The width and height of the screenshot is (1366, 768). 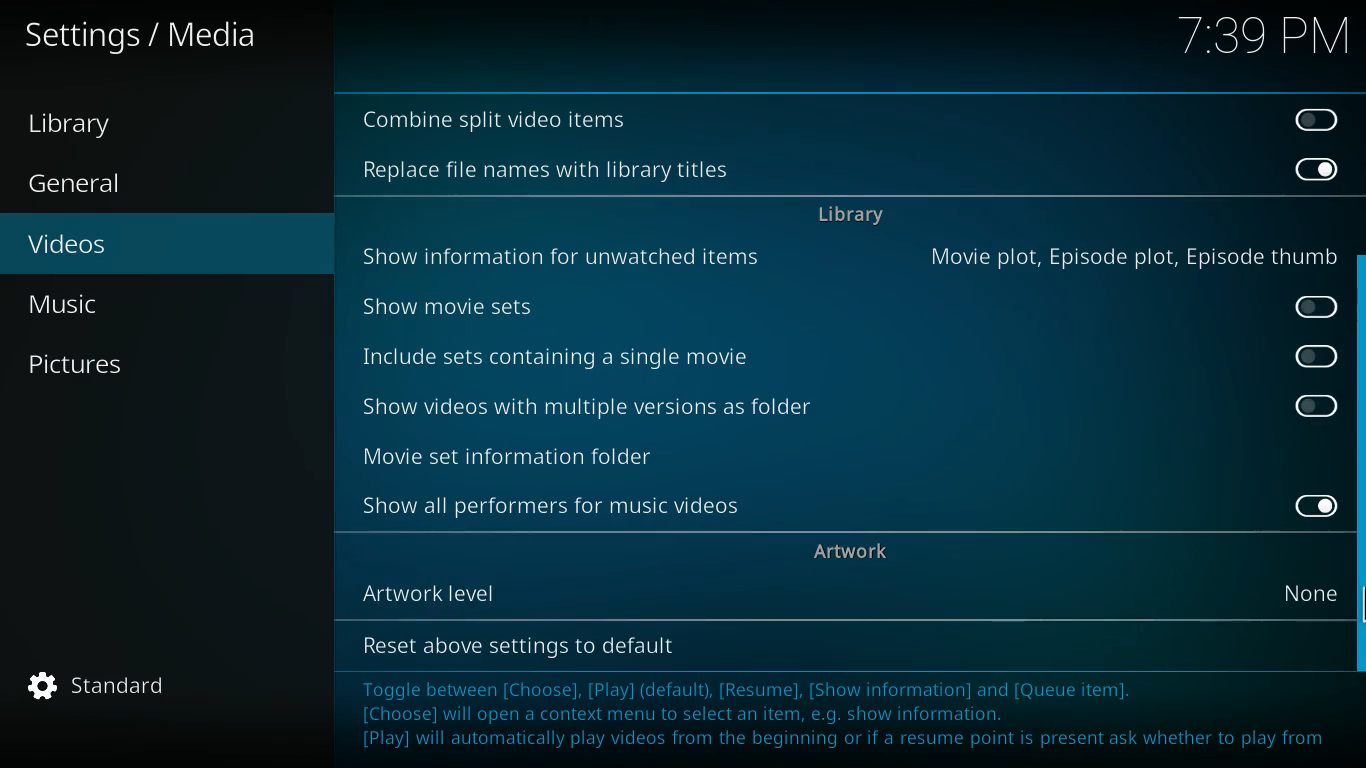 I want to click on movie plot, episode plot, episode thumb, so click(x=1130, y=256).